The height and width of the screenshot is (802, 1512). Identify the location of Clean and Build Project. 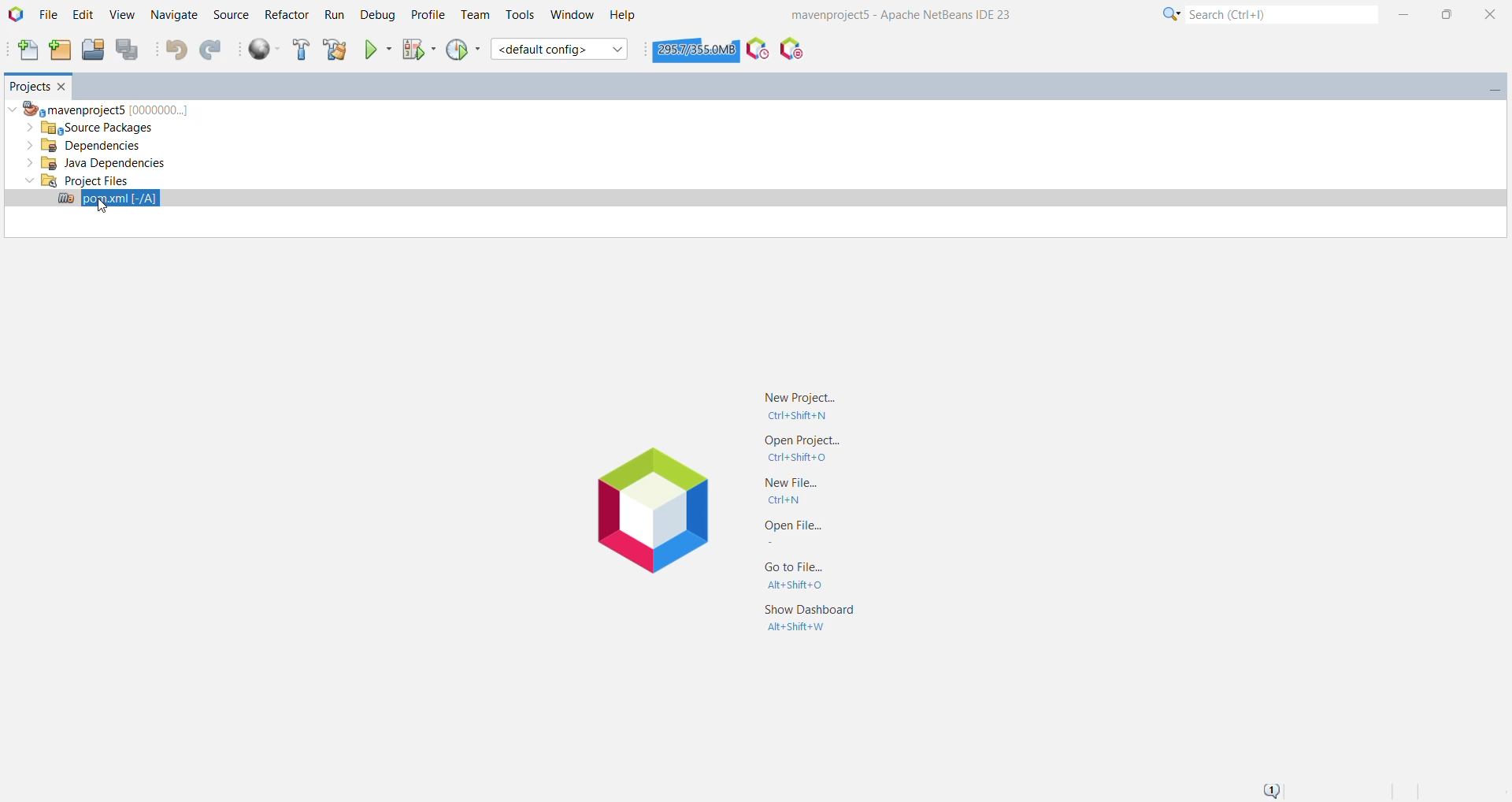
(335, 50).